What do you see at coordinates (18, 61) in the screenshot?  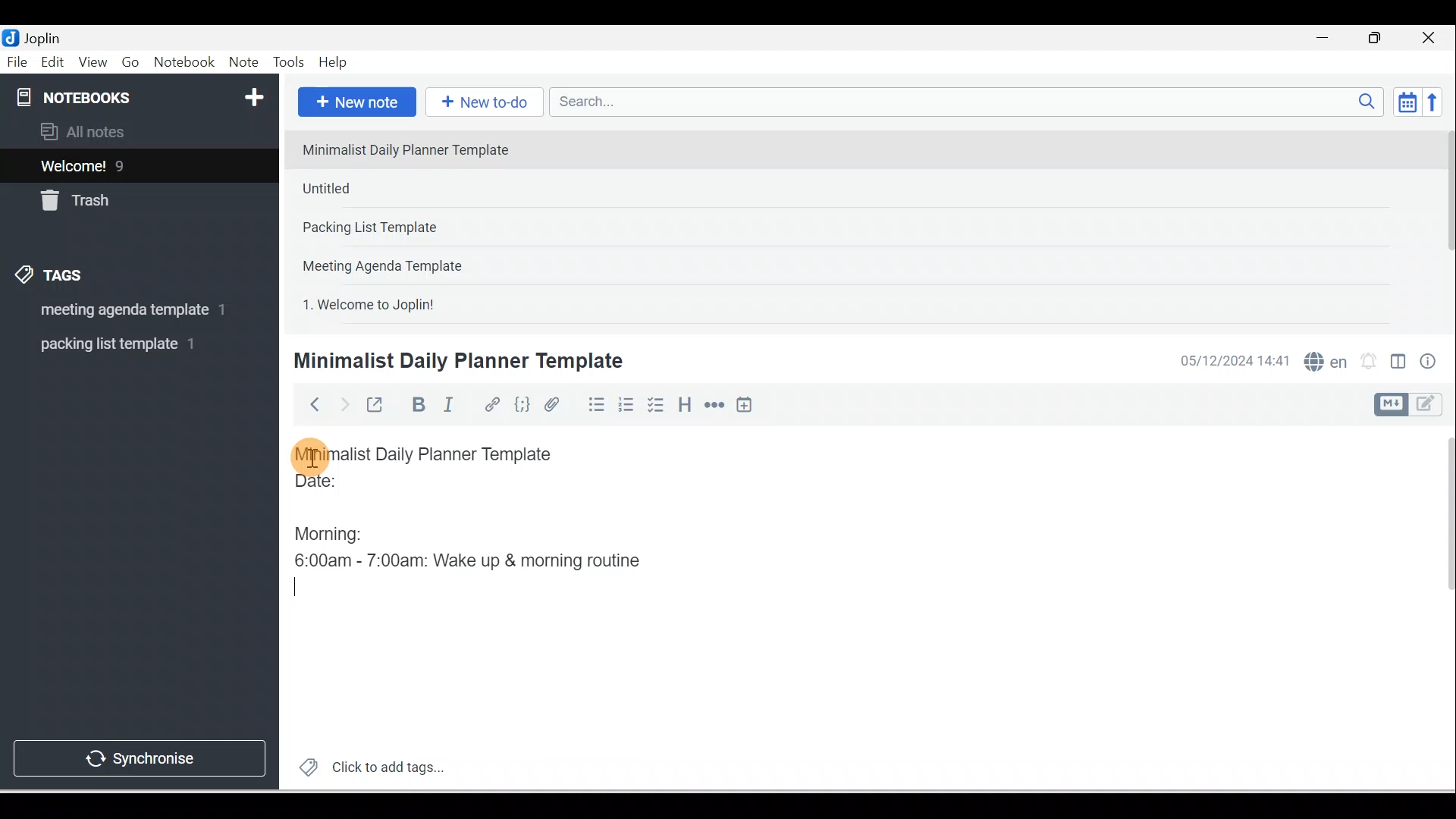 I see `File` at bounding box center [18, 61].